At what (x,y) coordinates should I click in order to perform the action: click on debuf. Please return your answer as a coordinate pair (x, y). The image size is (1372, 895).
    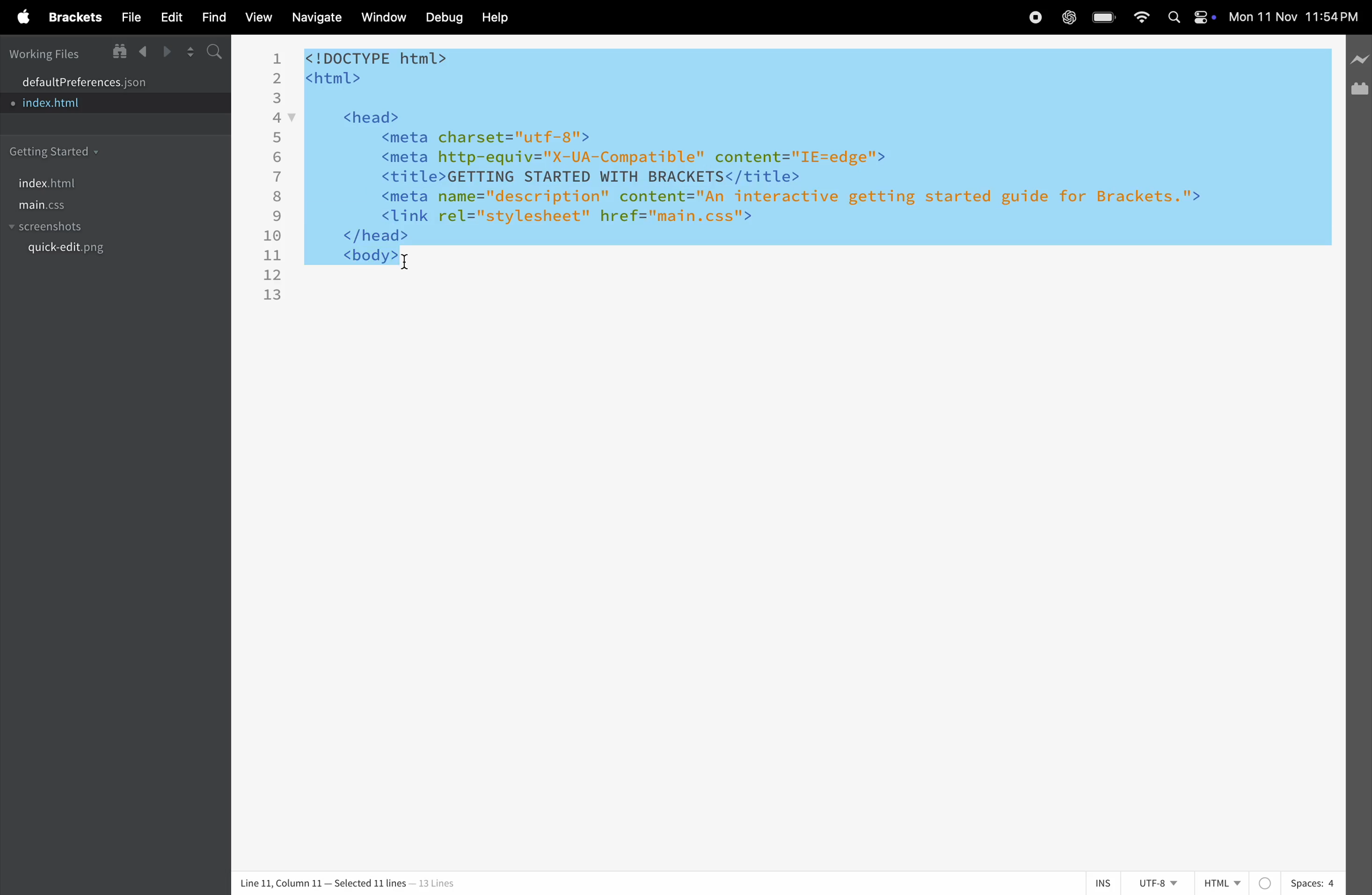
    Looking at the image, I should click on (444, 18).